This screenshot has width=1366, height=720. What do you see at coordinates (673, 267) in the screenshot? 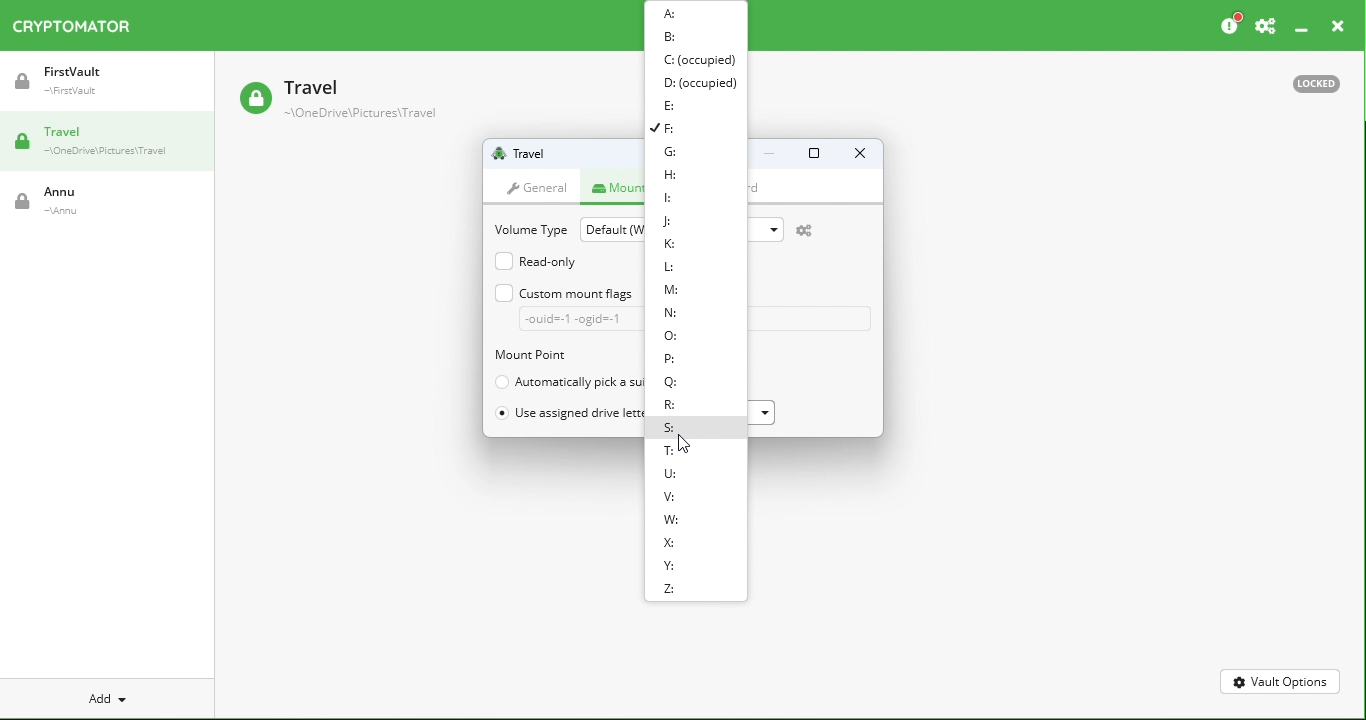
I see `L:` at bounding box center [673, 267].